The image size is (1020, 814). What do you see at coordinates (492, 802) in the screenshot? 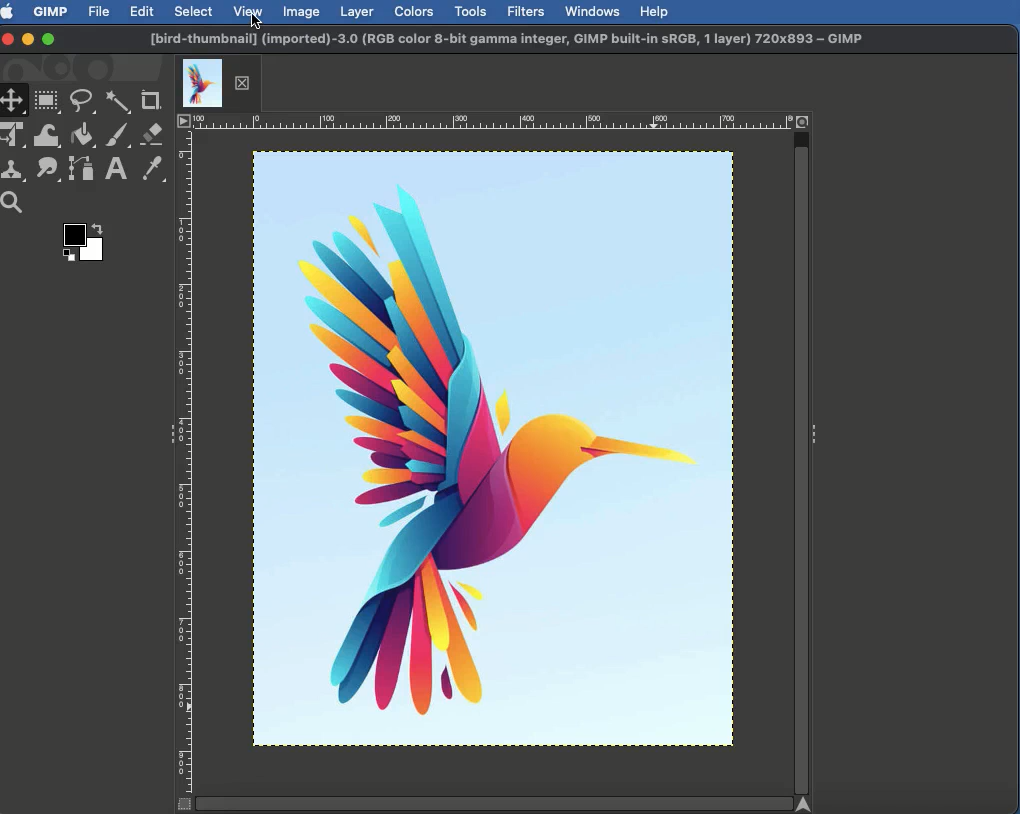
I see `horizontal Scrollbar` at bounding box center [492, 802].